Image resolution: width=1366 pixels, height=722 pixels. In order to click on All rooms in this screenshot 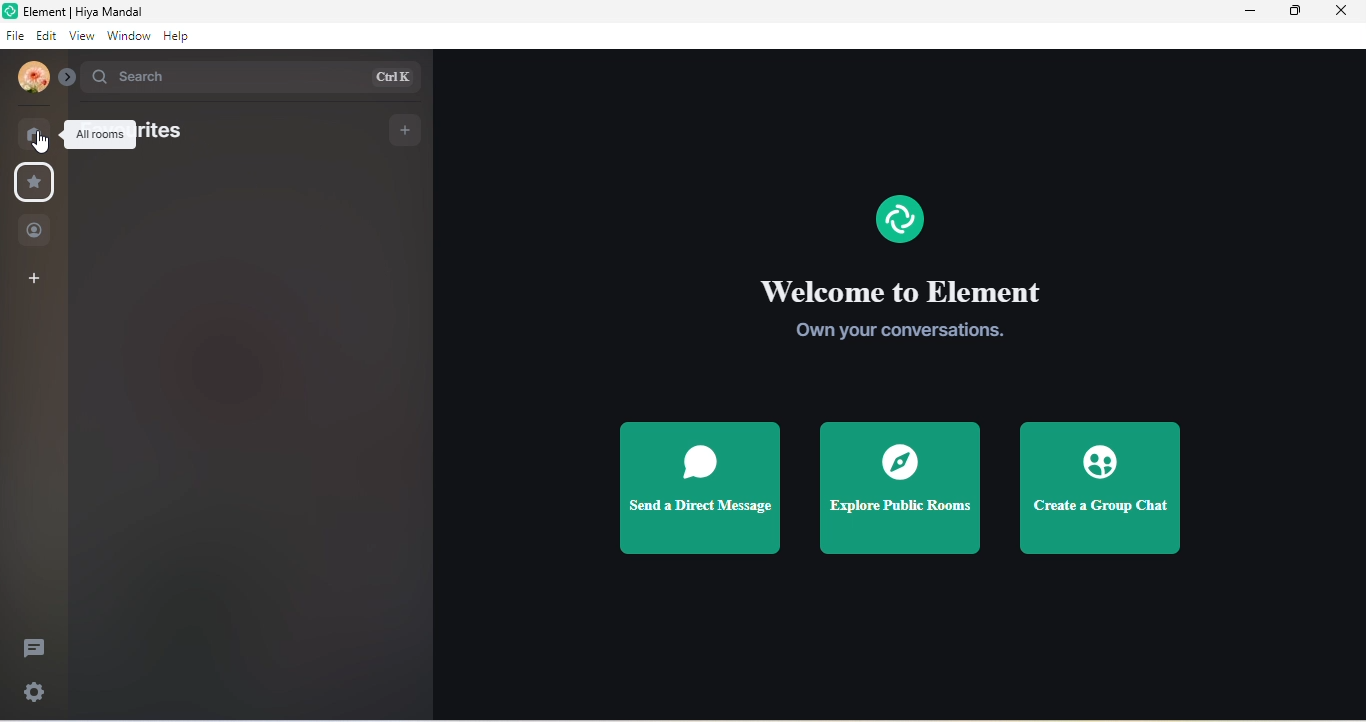, I will do `click(33, 135)`.